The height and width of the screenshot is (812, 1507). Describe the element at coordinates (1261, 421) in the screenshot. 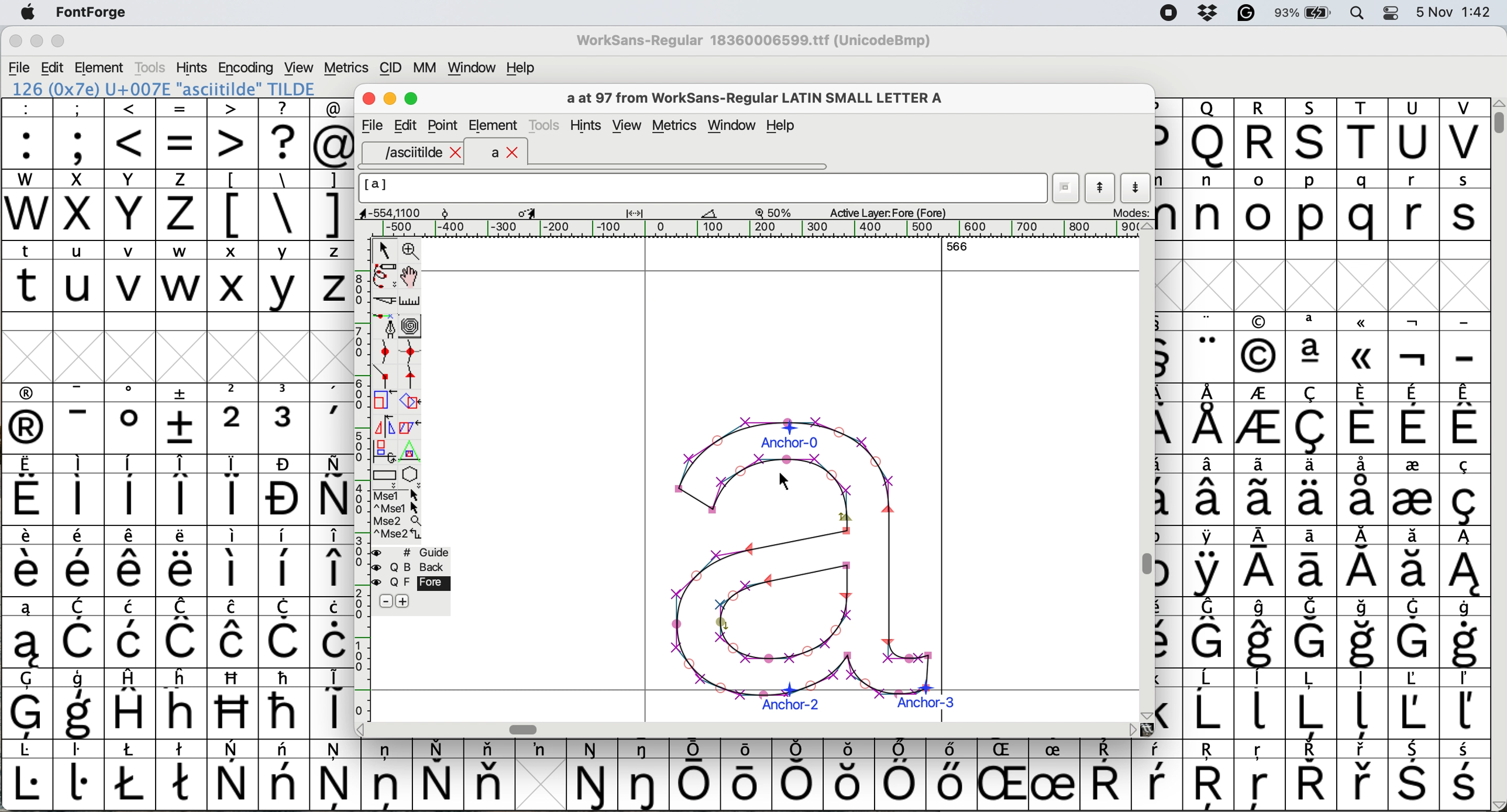

I see `symbol` at that location.